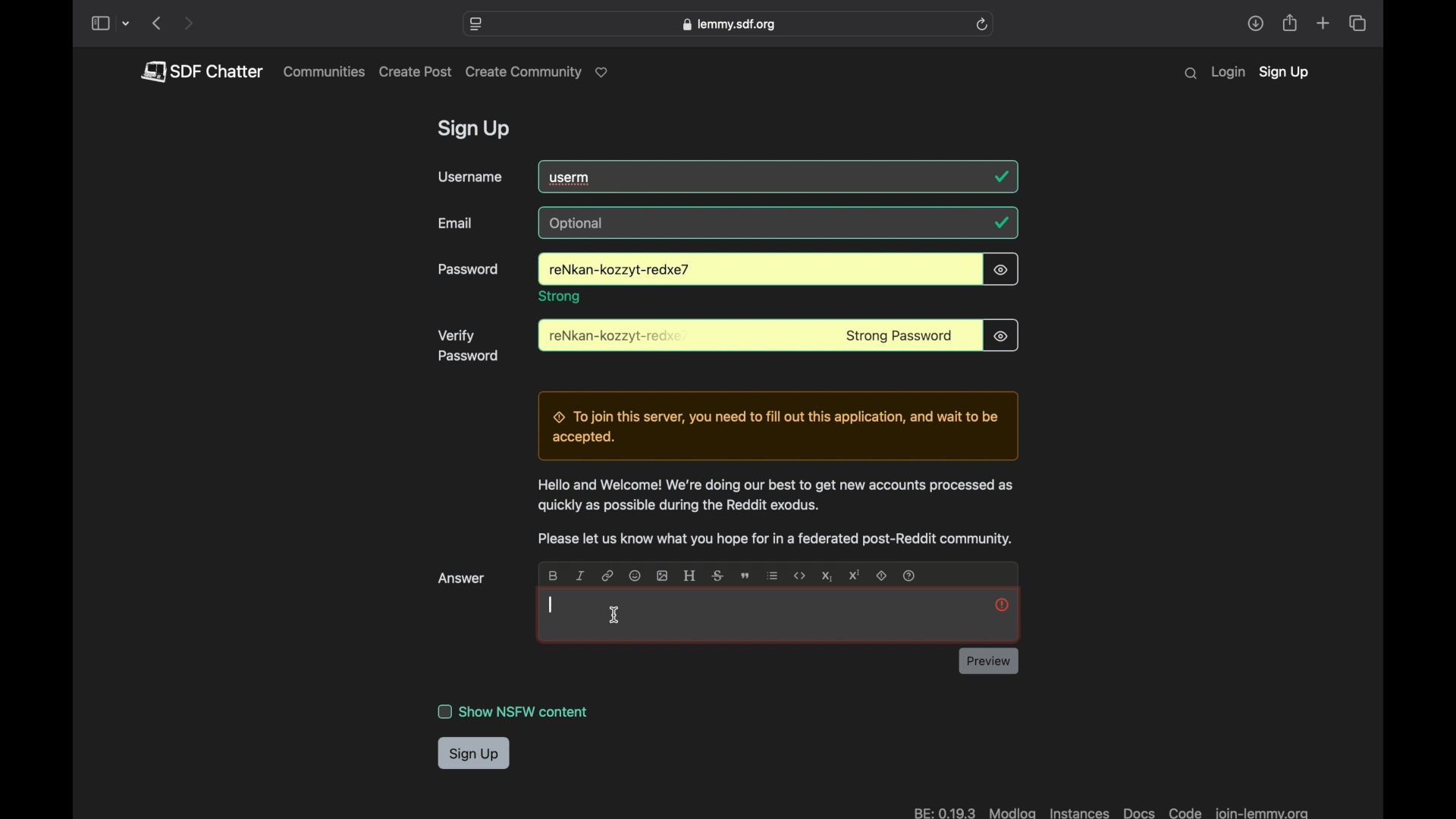 The width and height of the screenshot is (1456, 819). What do you see at coordinates (1002, 604) in the screenshot?
I see `exclamation mark` at bounding box center [1002, 604].